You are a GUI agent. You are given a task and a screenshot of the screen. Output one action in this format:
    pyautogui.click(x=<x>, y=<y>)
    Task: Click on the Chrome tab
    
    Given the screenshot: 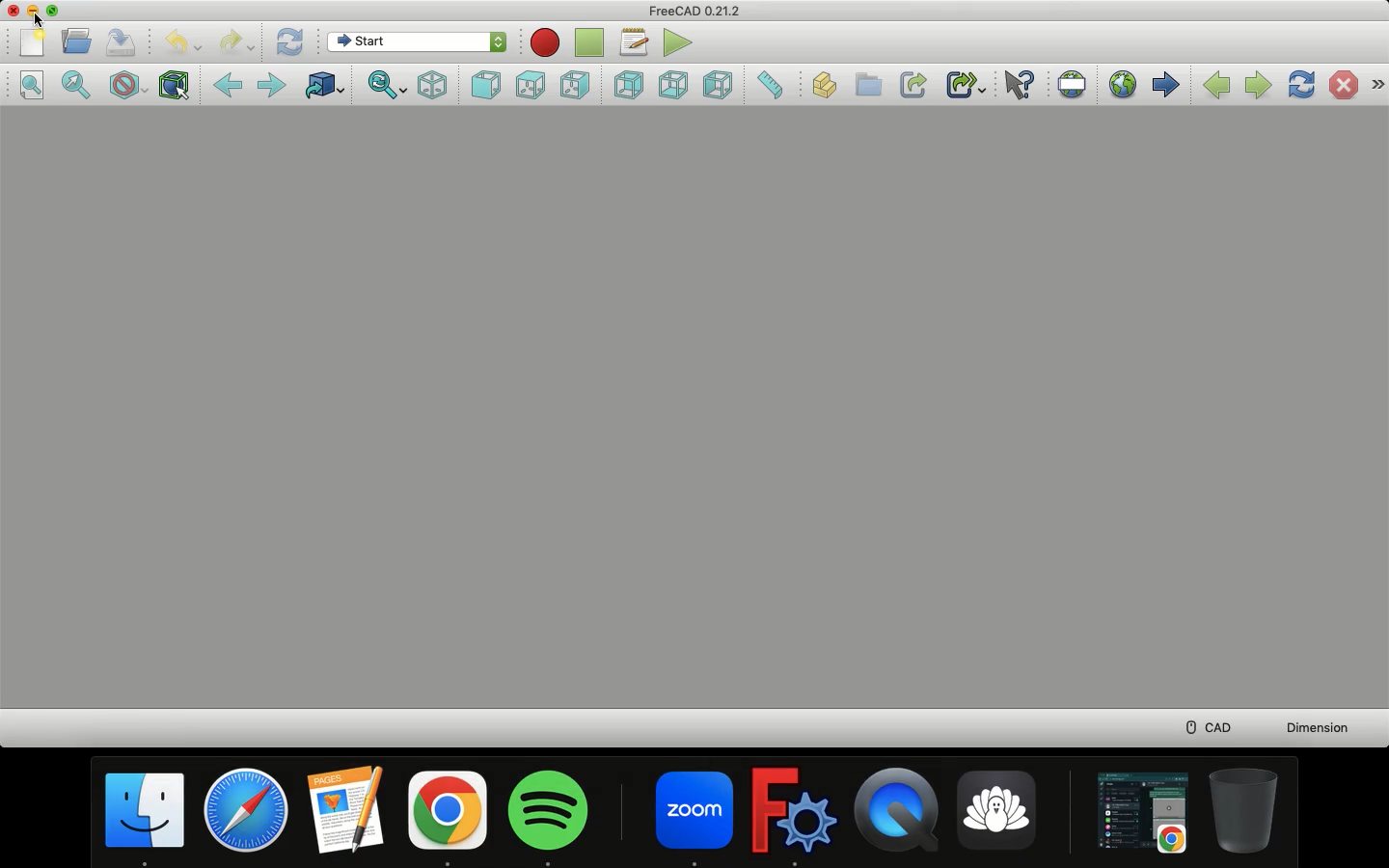 What is the action you would take?
    pyautogui.click(x=1140, y=813)
    